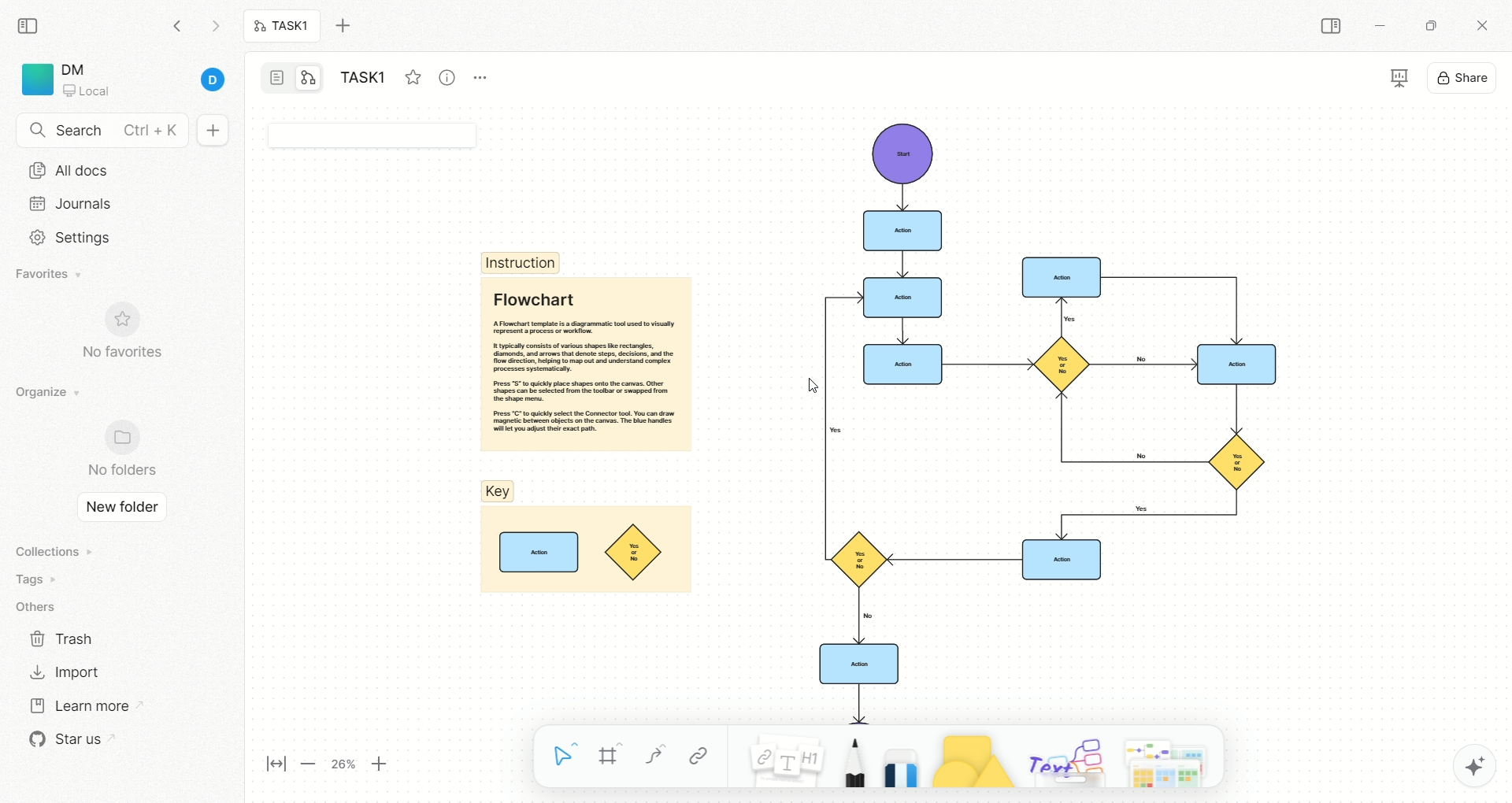  I want to click on others, so click(39, 608).